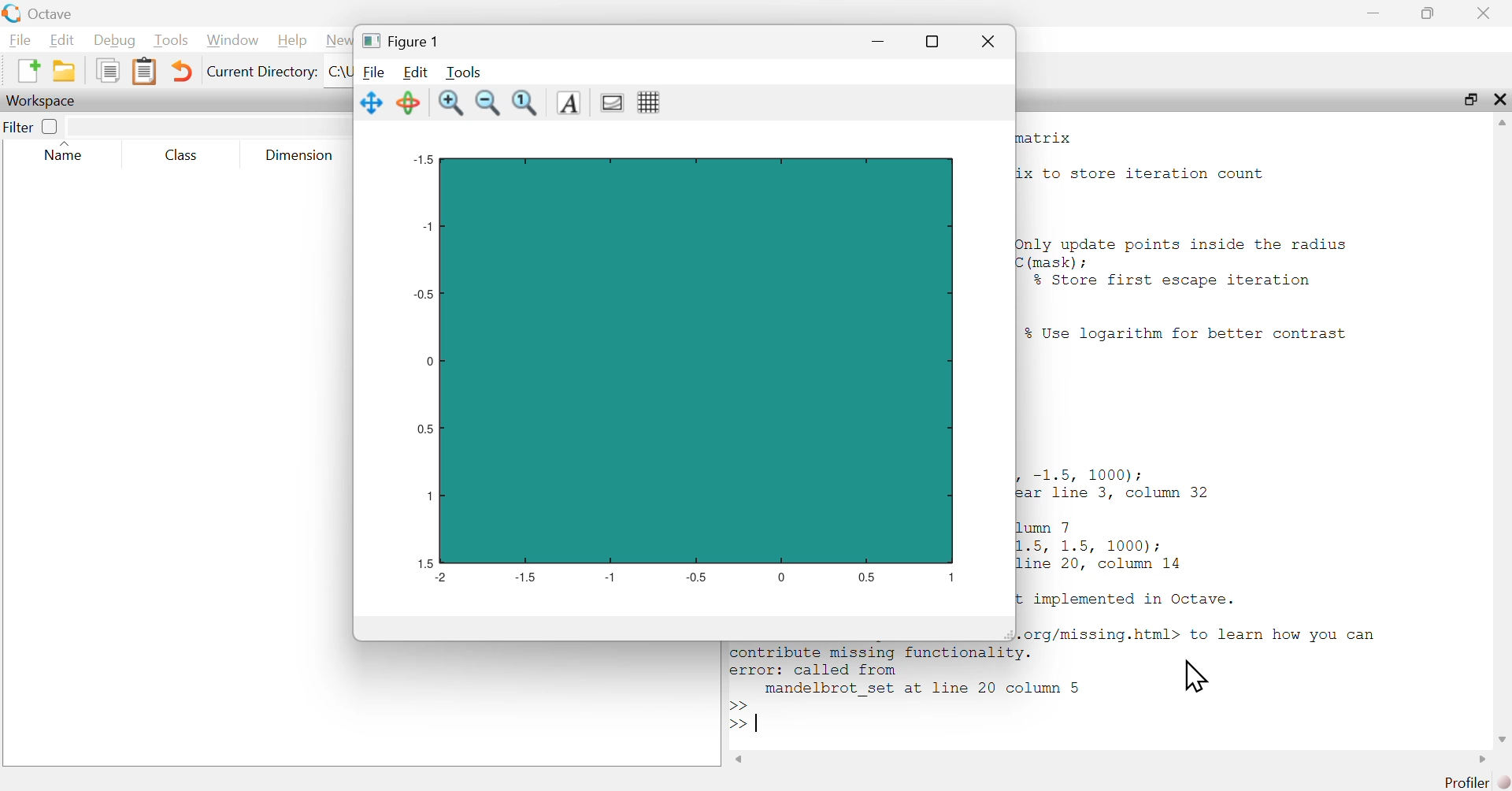 The height and width of the screenshot is (791, 1512). I want to click on close, so click(1499, 101).